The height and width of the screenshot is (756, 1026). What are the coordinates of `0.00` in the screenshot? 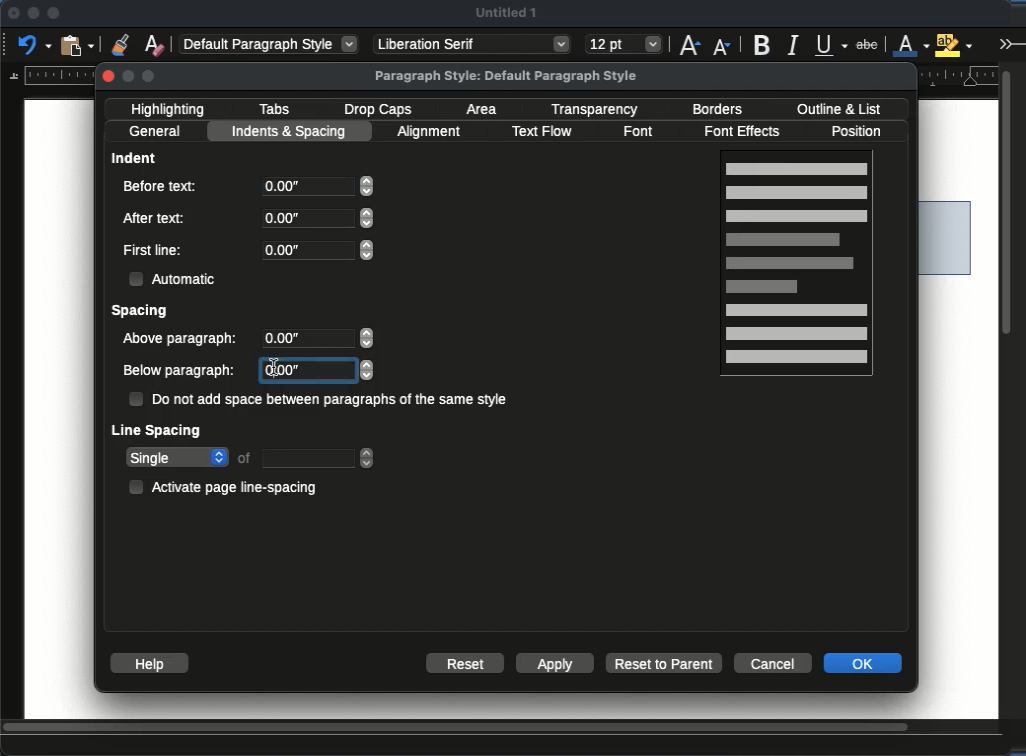 It's located at (321, 340).